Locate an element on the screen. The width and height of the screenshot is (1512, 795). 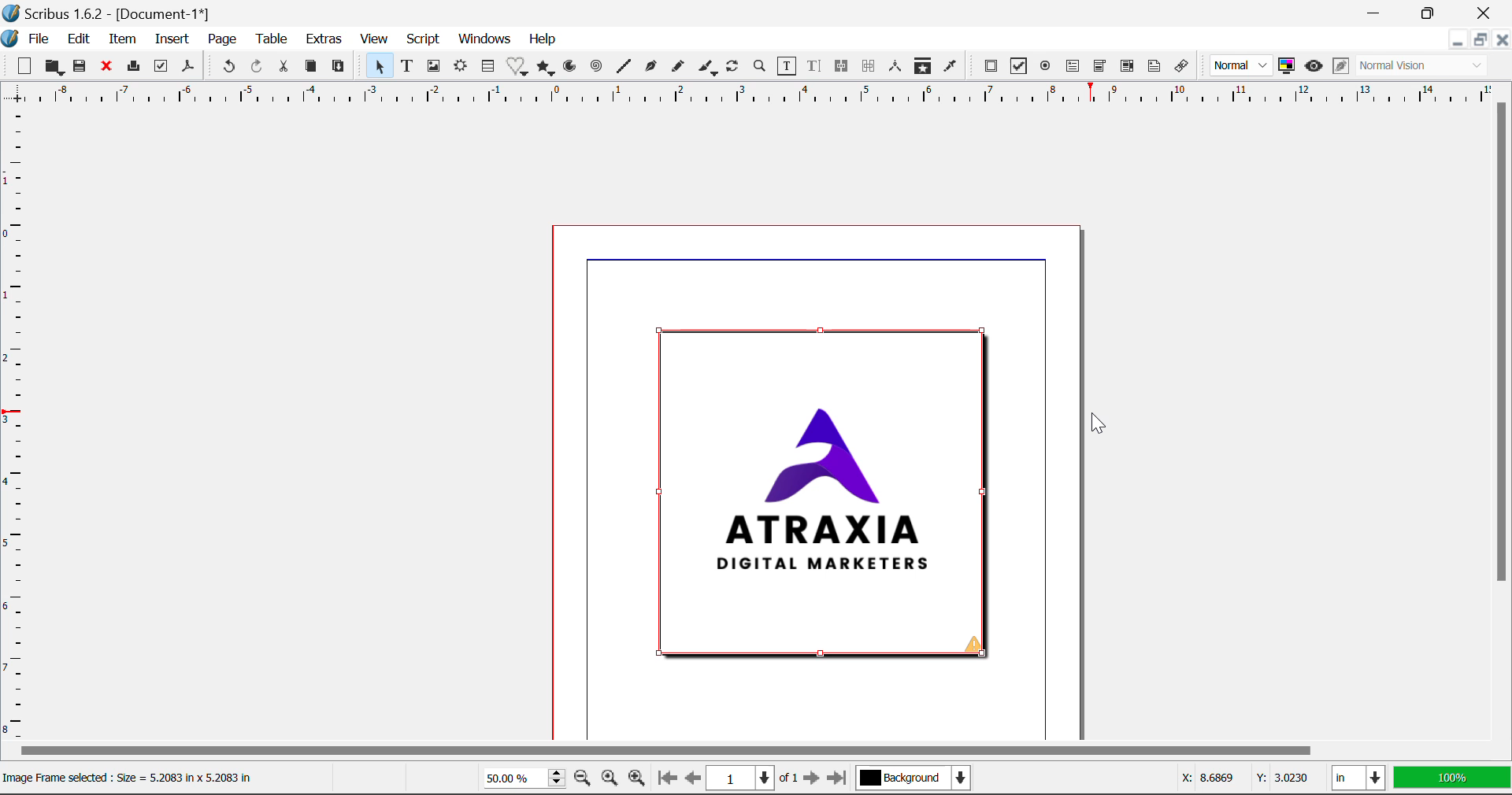
Minimize is located at coordinates (1480, 39).